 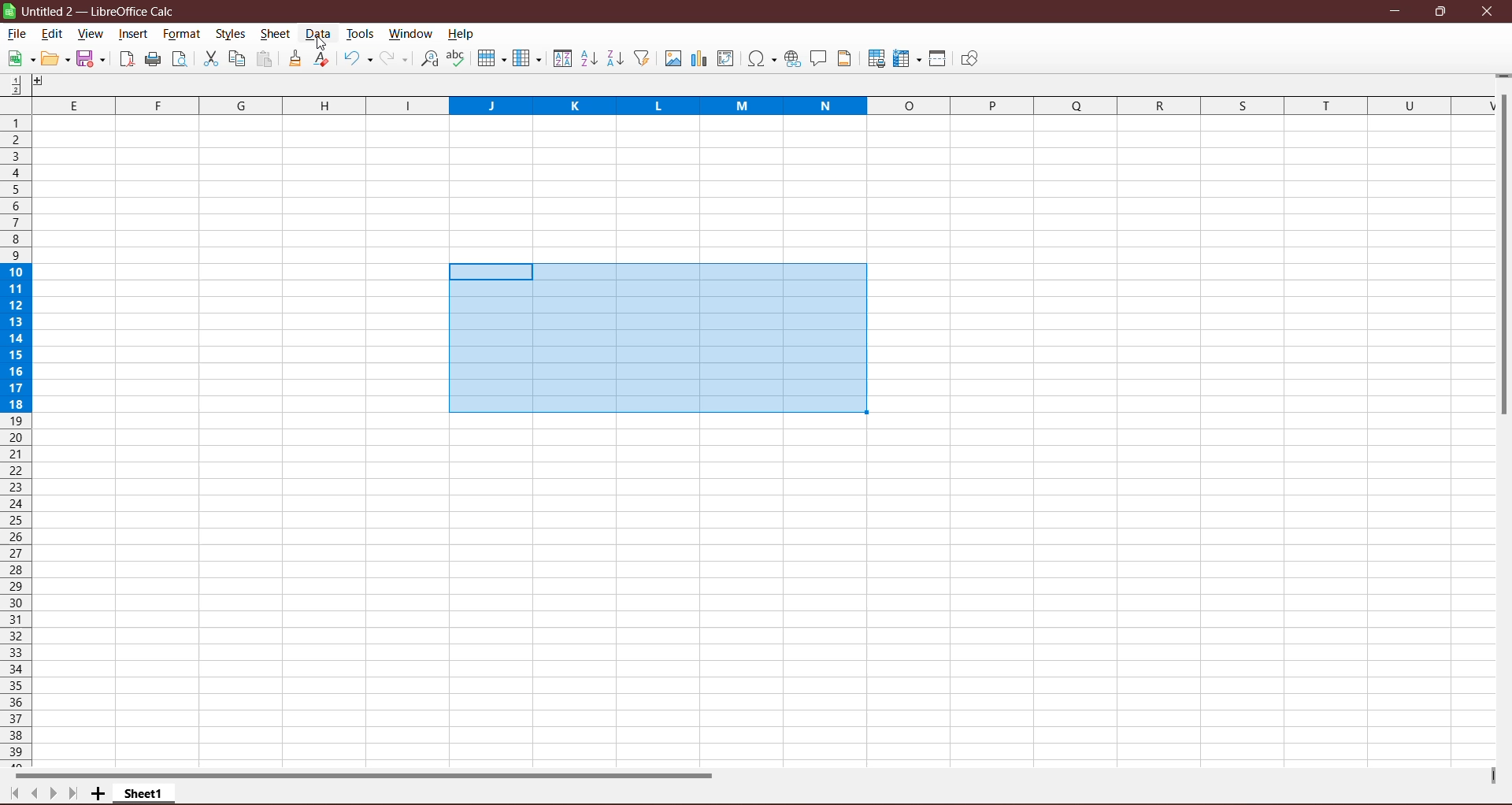 I want to click on Document Title - Application Name, so click(x=103, y=11).